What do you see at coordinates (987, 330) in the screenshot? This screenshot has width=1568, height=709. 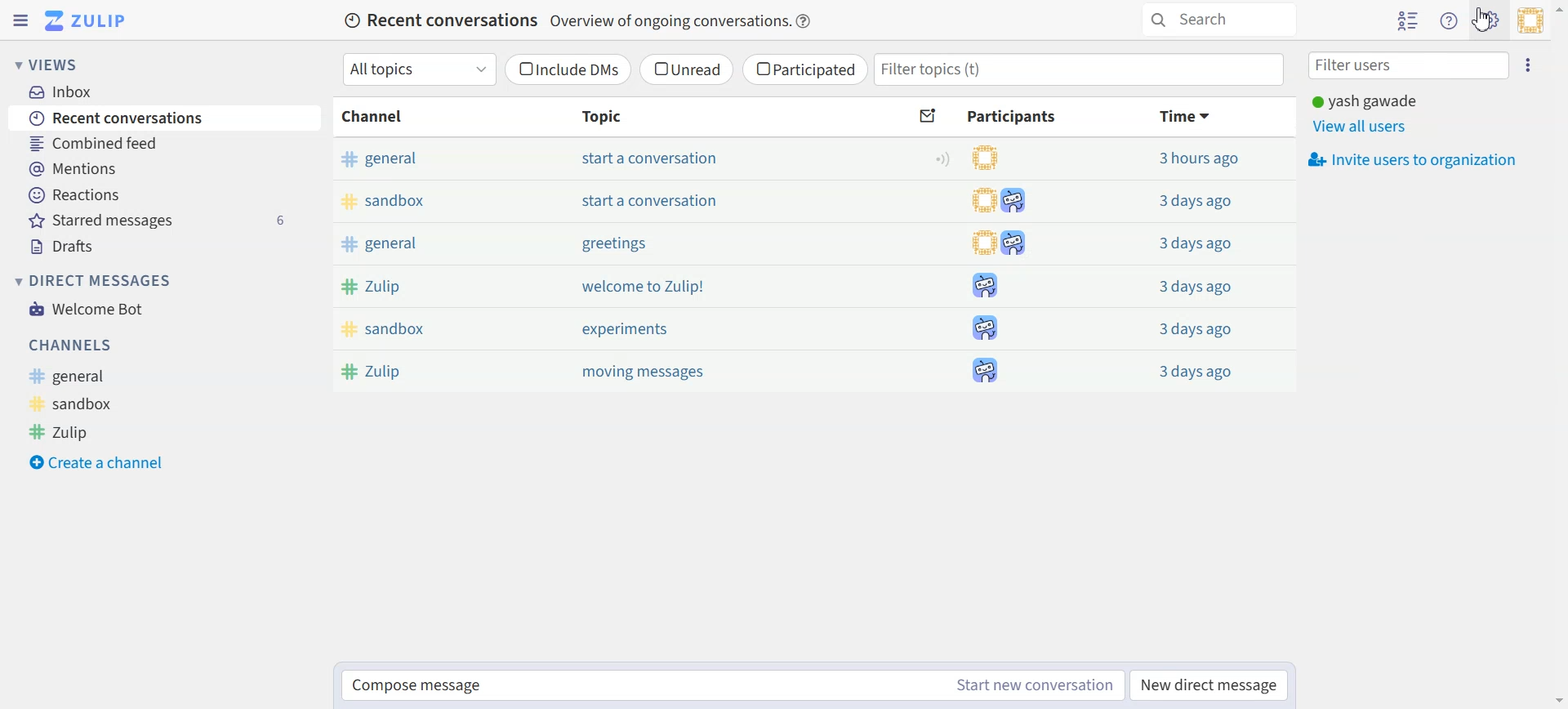 I see `participants` at bounding box center [987, 330].